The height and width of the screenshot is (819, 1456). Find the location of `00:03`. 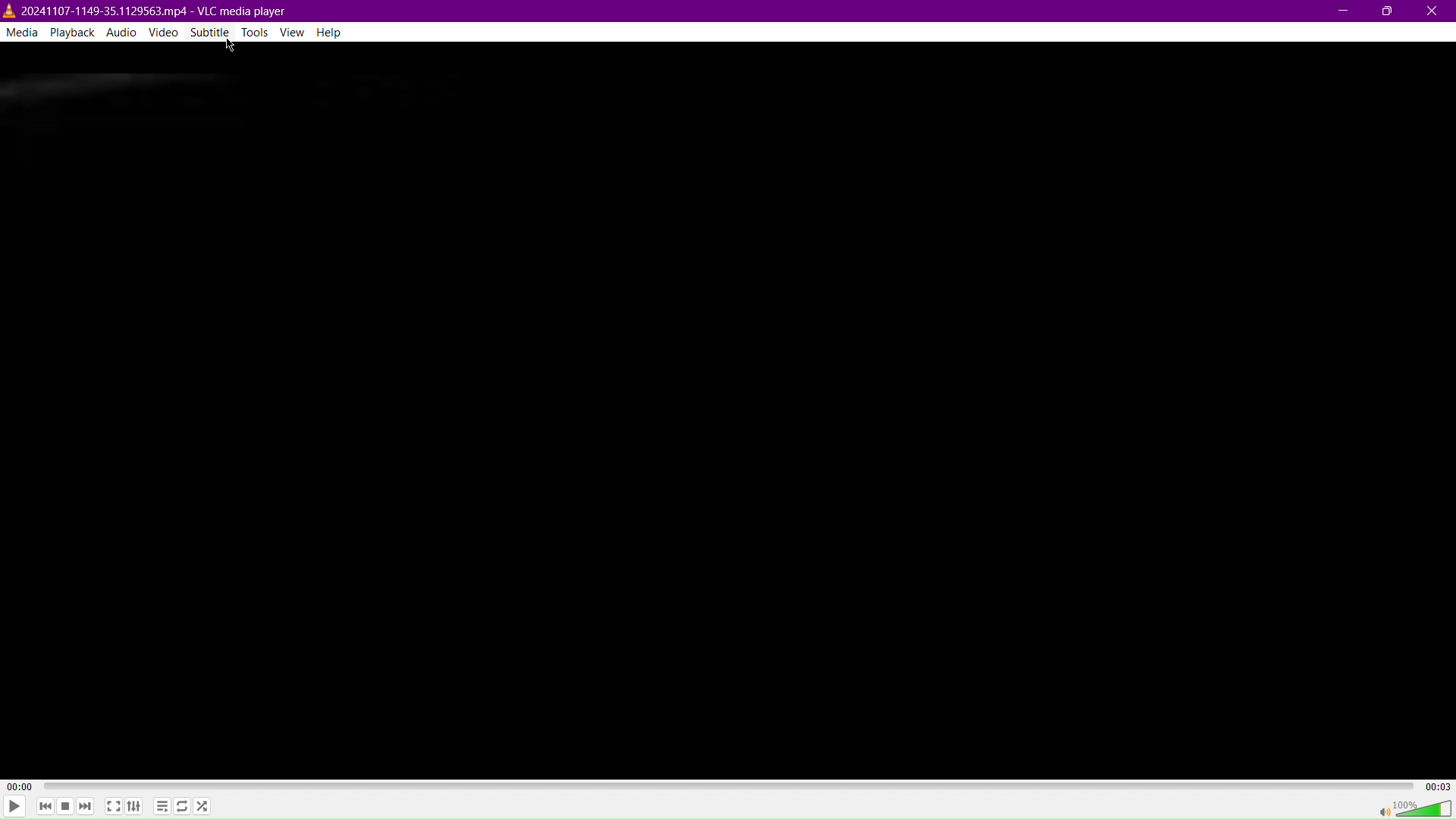

00:03 is located at coordinates (1437, 785).